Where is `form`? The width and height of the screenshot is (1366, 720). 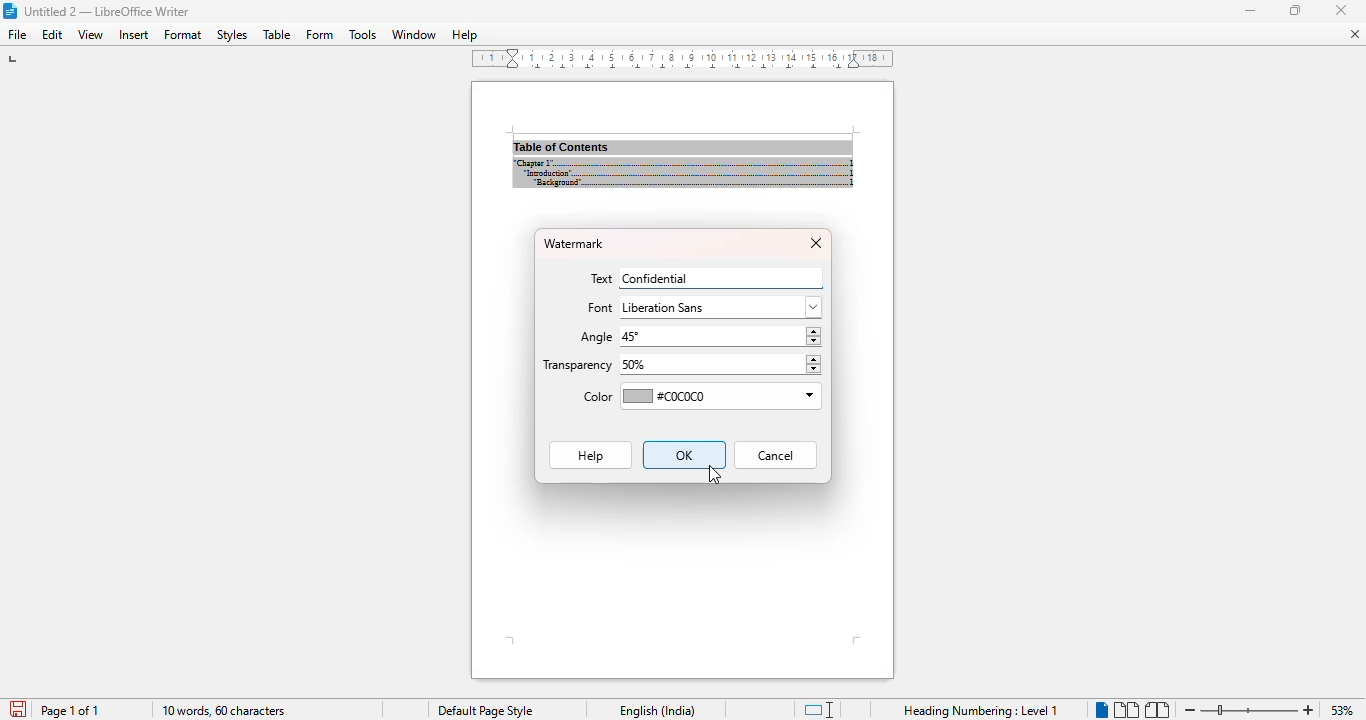 form is located at coordinates (319, 35).